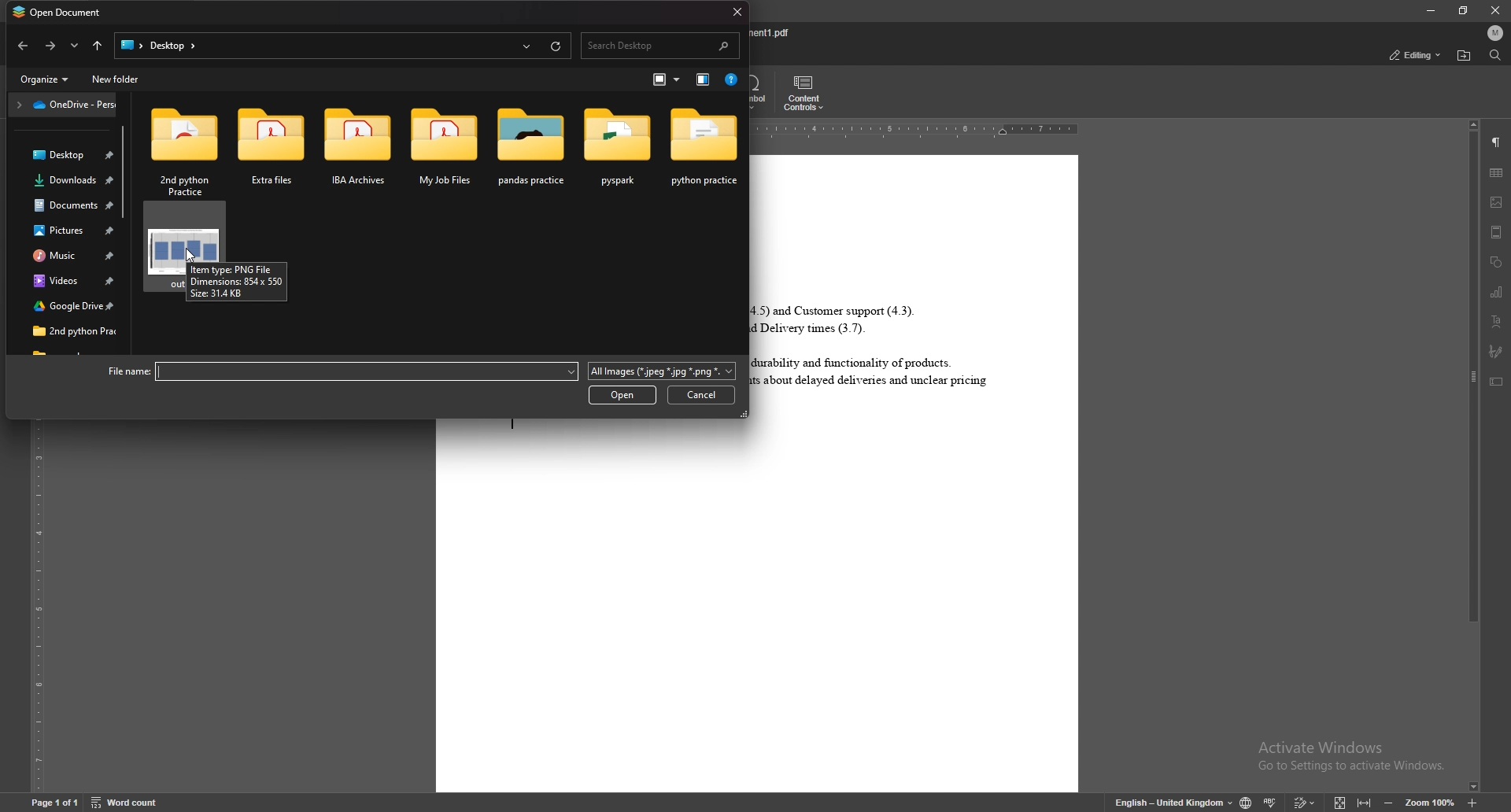 The image size is (1511, 812). I want to click on go back, so click(49, 46).